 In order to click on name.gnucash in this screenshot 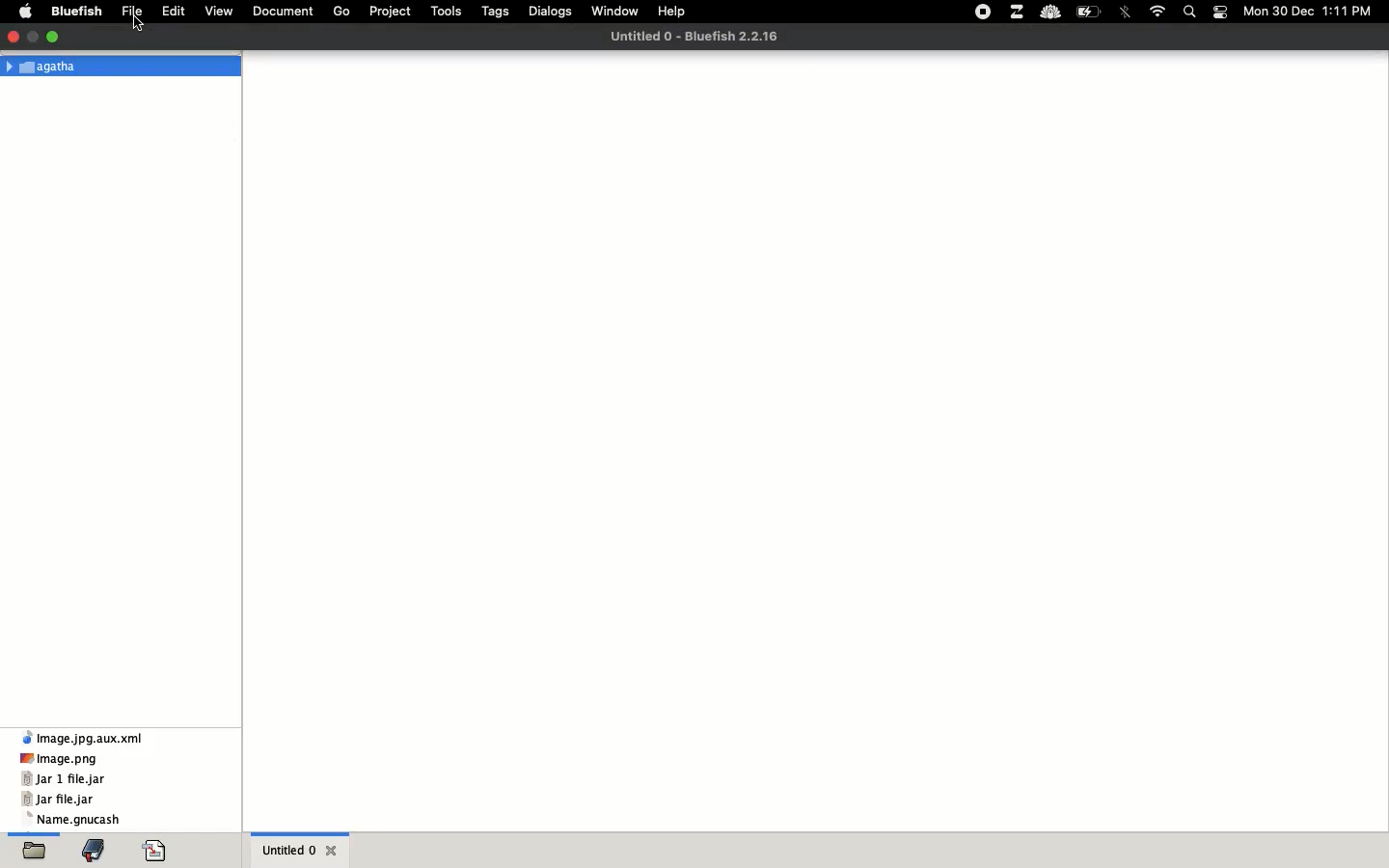, I will do `click(78, 820)`.